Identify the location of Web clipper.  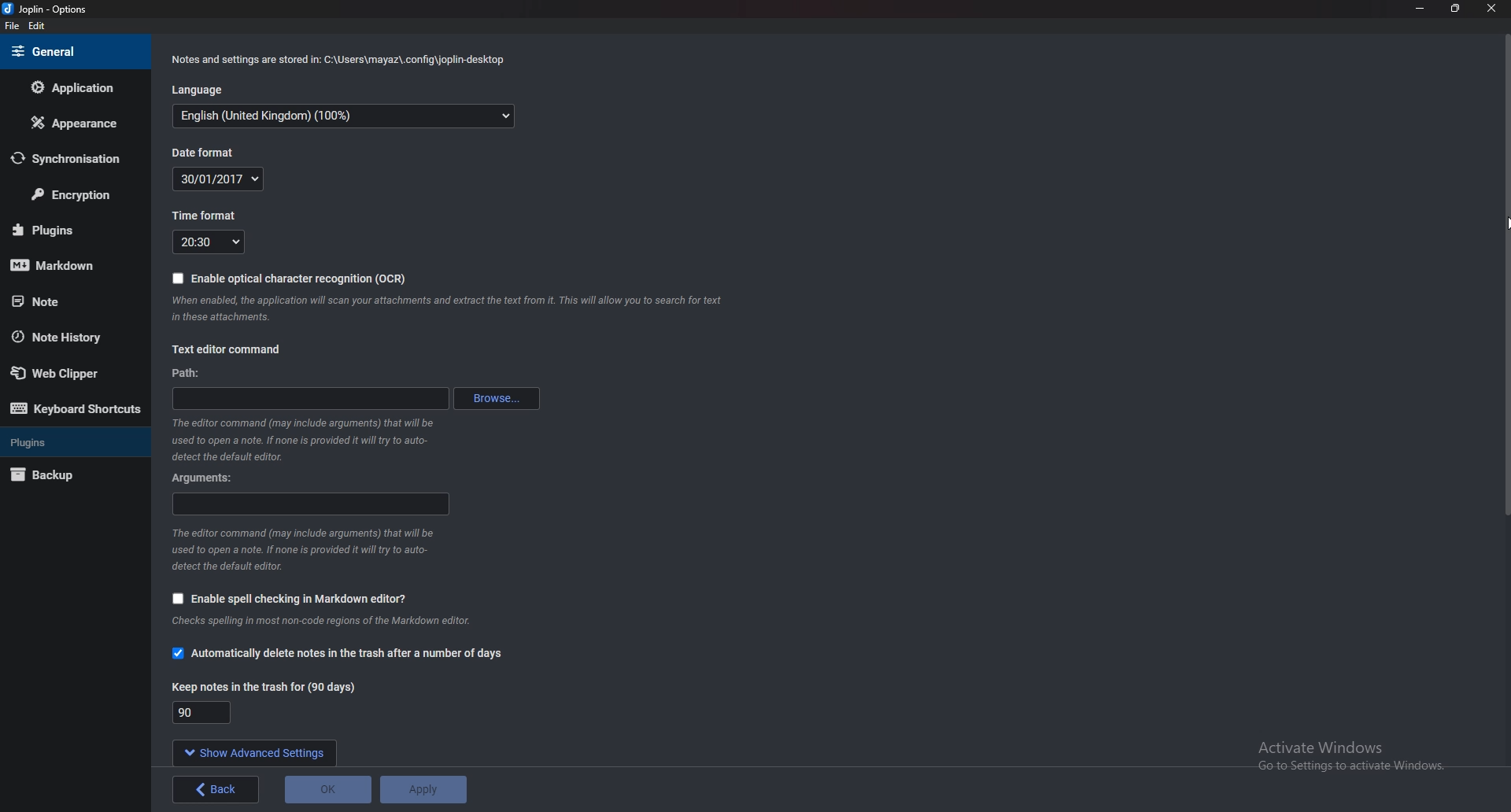
(70, 374).